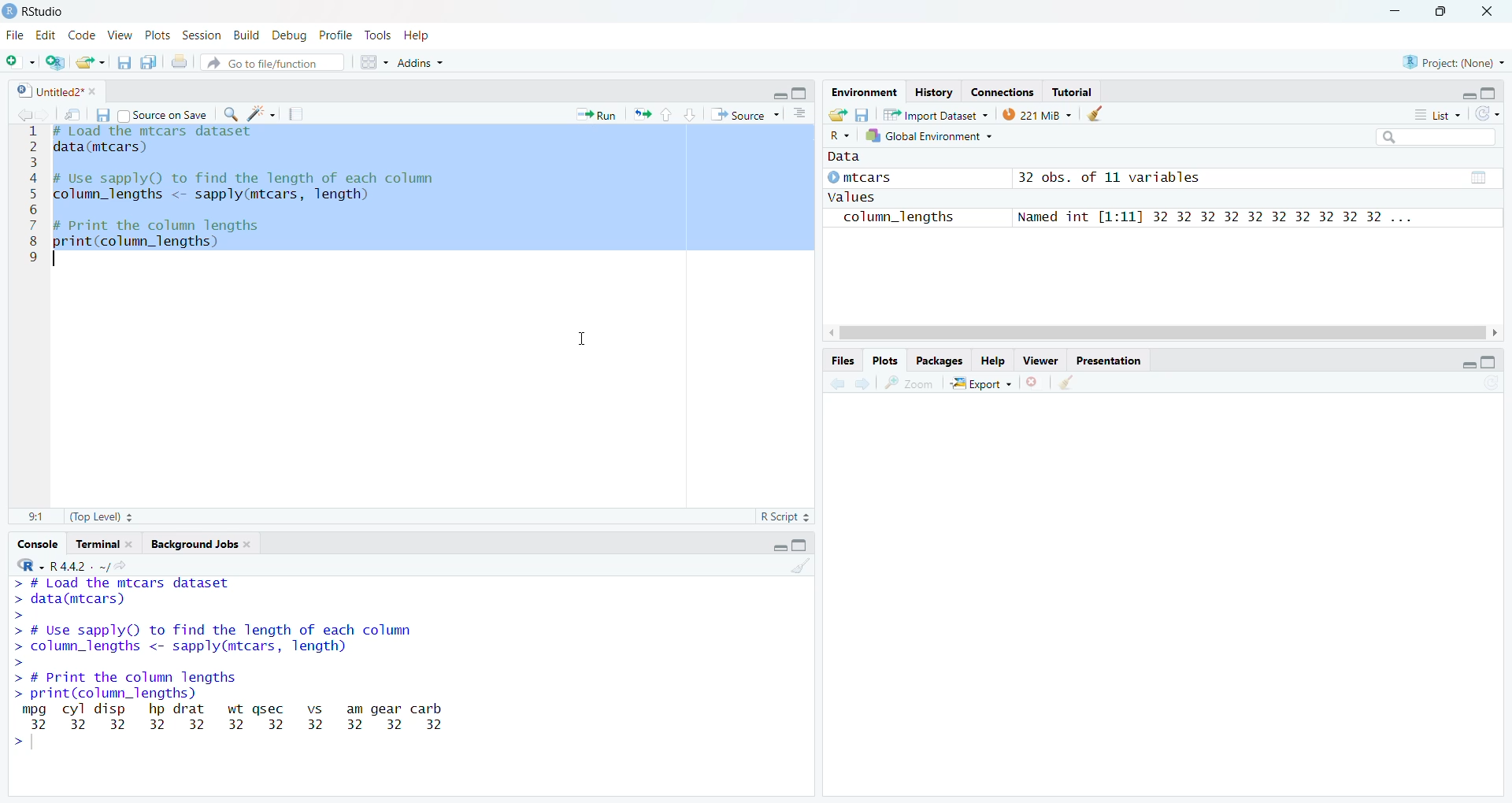  What do you see at coordinates (1100, 113) in the screenshot?
I see `Clear` at bounding box center [1100, 113].